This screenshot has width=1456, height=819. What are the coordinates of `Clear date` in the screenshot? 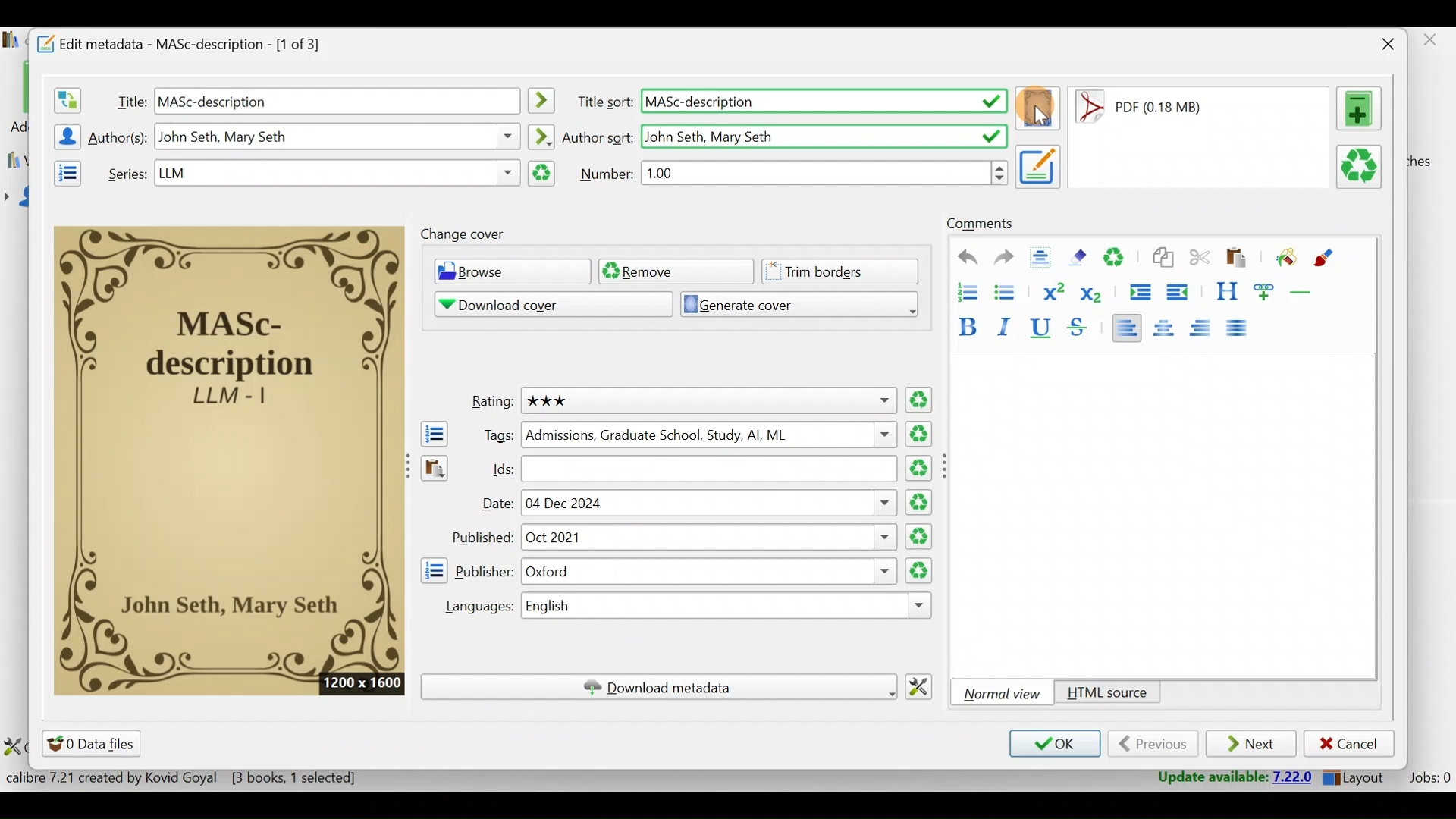 It's located at (921, 500).